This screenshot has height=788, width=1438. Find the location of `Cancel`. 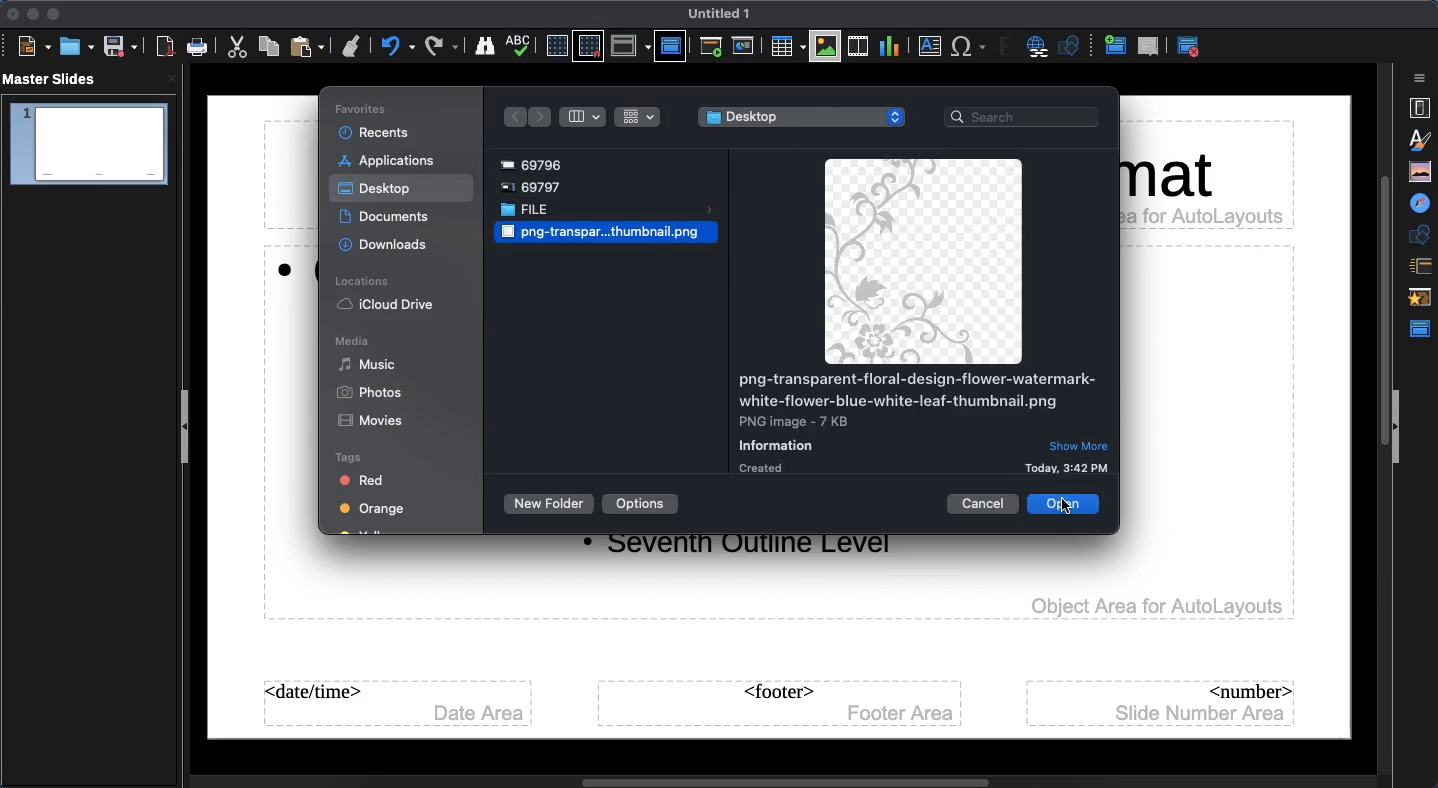

Cancel is located at coordinates (984, 504).